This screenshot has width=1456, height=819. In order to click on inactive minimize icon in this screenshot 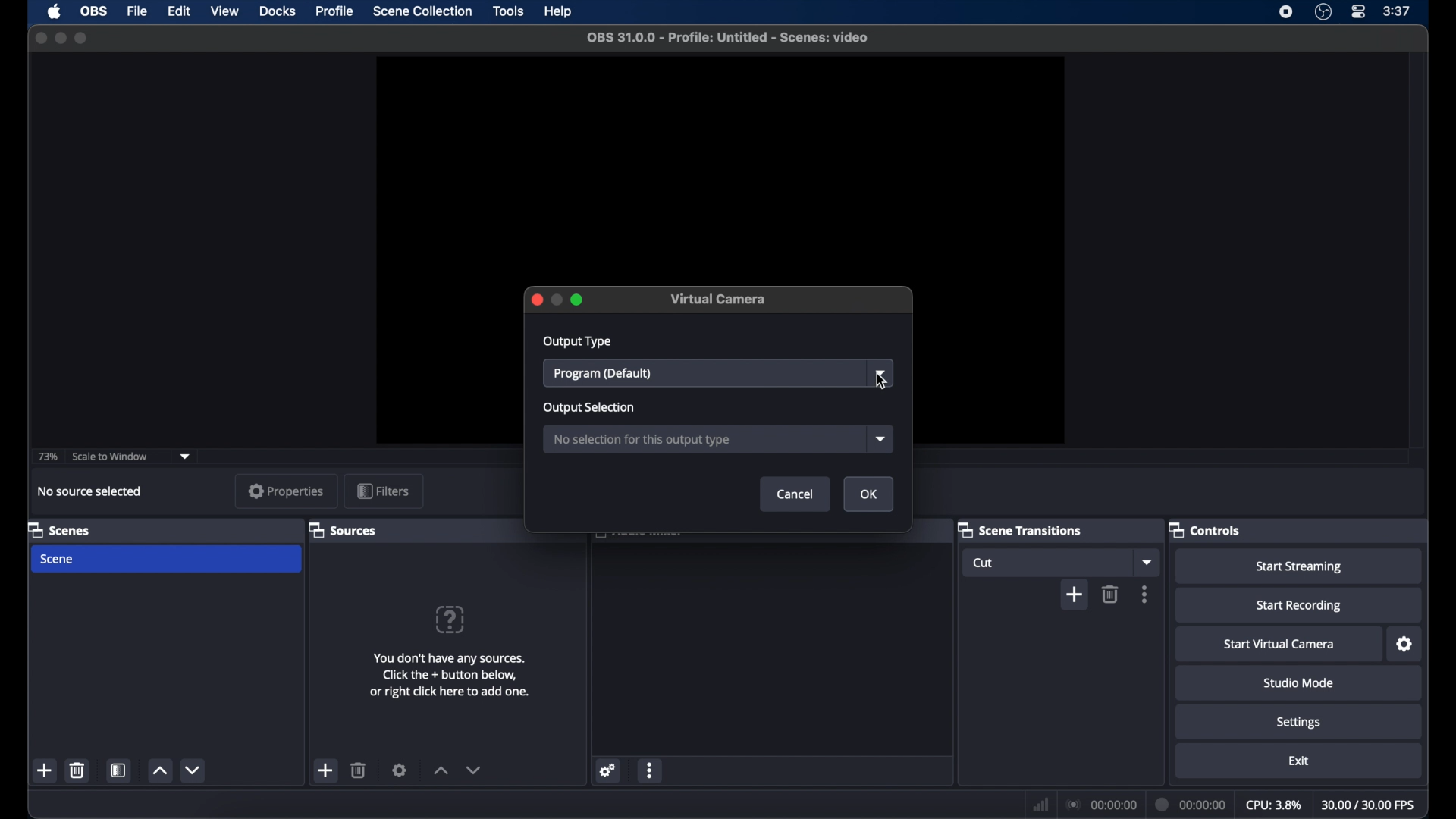, I will do `click(557, 300)`.